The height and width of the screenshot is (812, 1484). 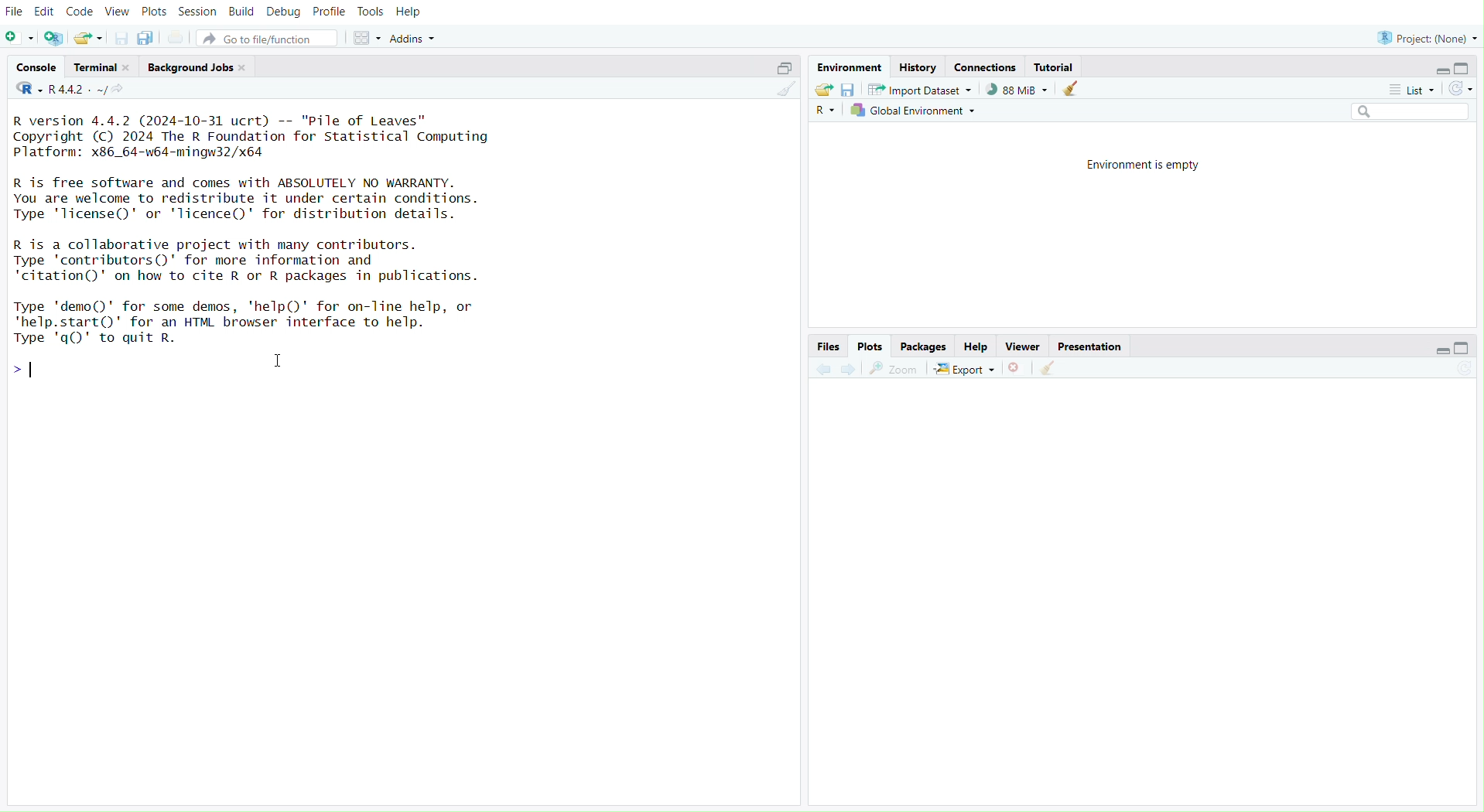 I want to click on Refresh the list of objects in the environment, so click(x=1463, y=88).